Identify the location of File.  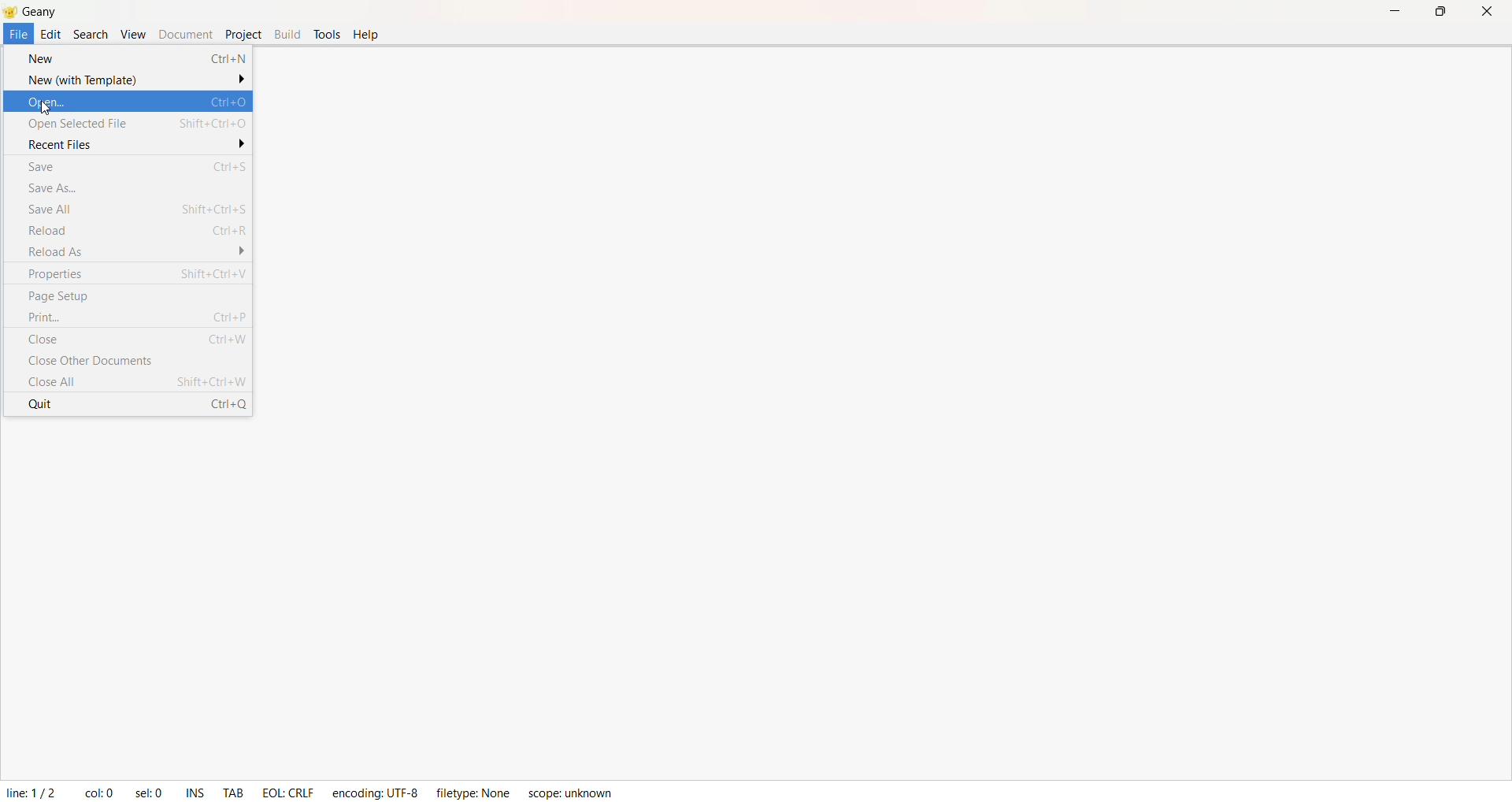
(17, 34).